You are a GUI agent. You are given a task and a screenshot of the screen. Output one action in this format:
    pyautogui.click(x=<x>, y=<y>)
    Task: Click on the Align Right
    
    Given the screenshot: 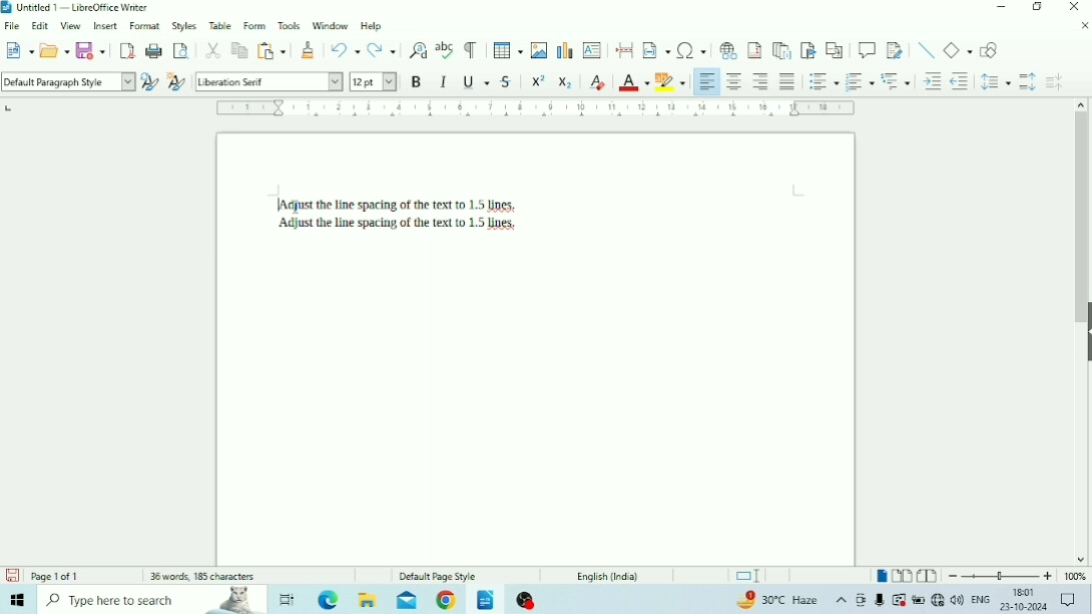 What is the action you would take?
    pyautogui.click(x=759, y=82)
    